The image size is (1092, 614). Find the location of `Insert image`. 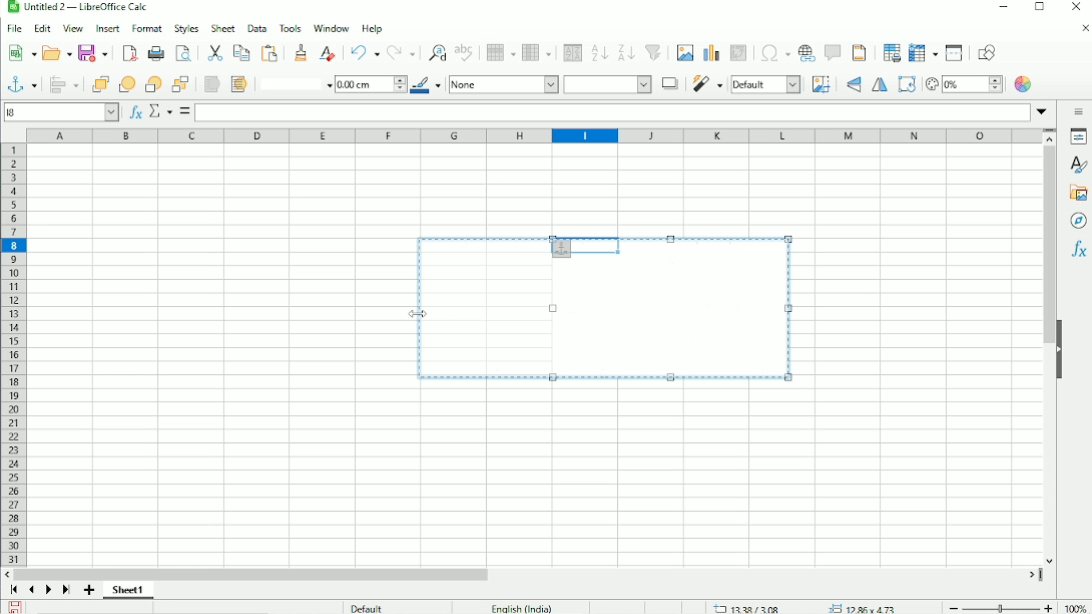

Insert image is located at coordinates (684, 53).